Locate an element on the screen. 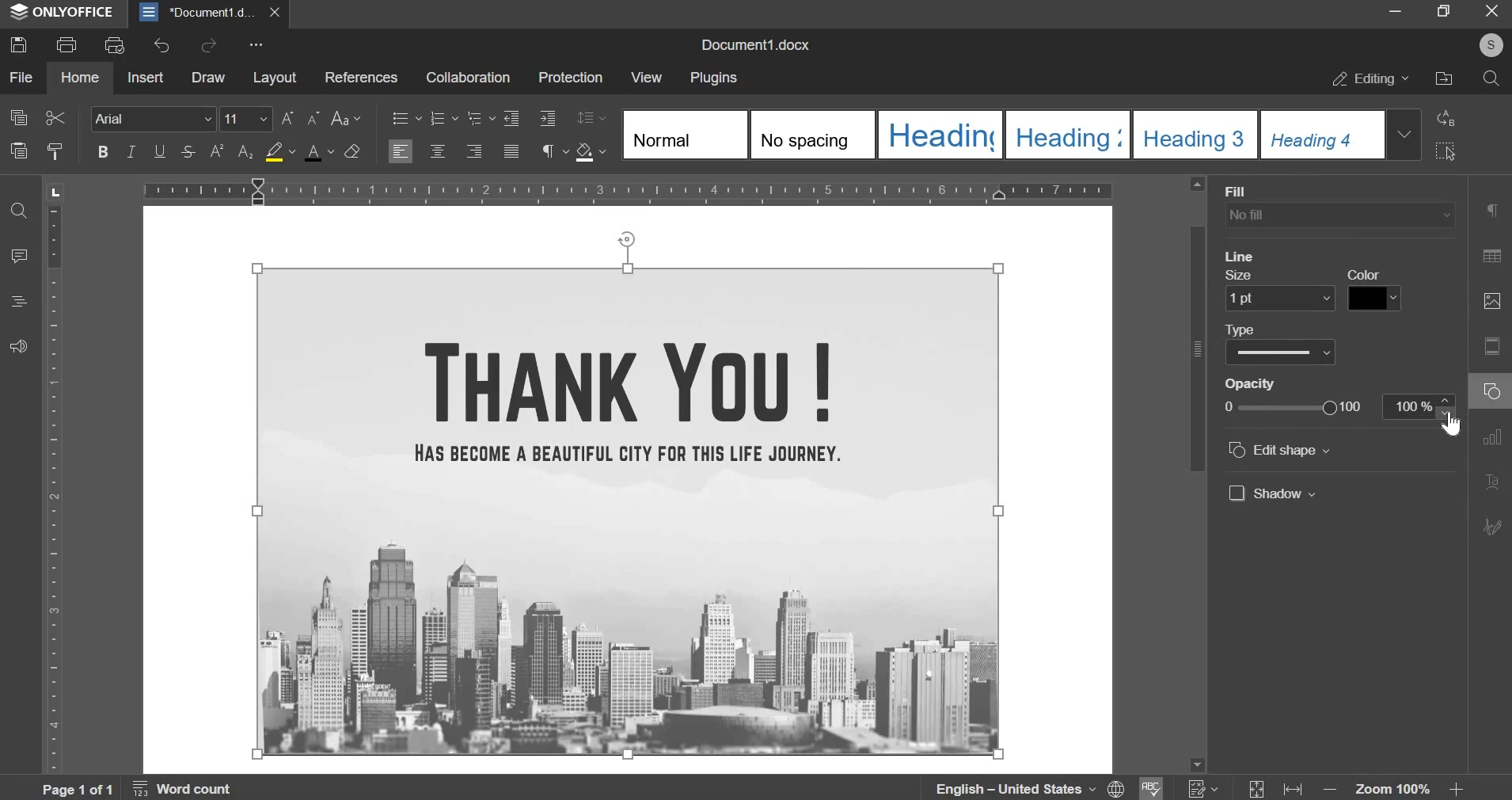 The image size is (1512, 800). Document1.docx is located at coordinates (760, 42).